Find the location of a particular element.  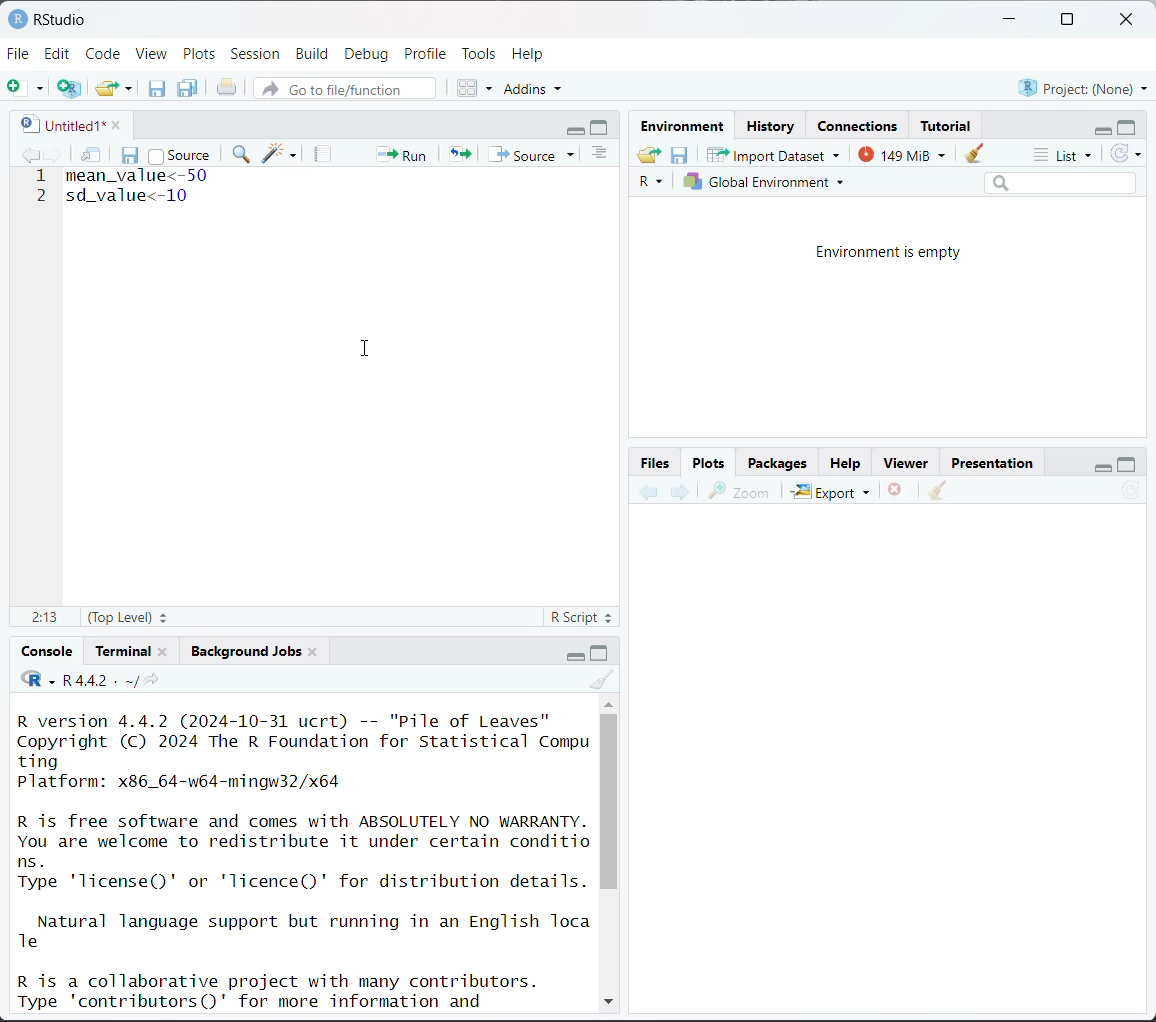

File is located at coordinates (19, 53).